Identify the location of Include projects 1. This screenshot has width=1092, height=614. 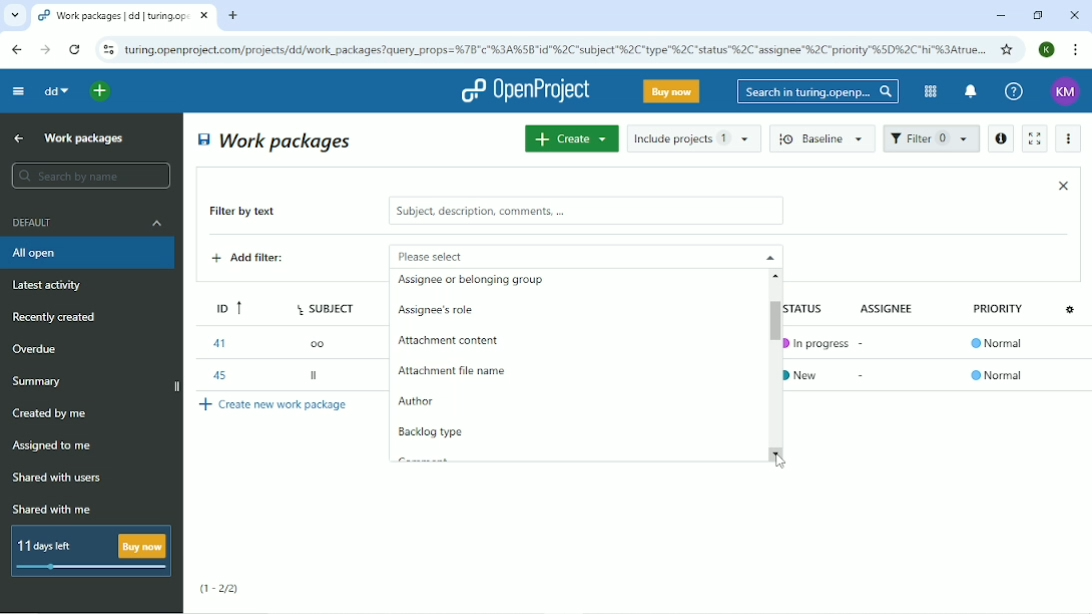
(694, 138).